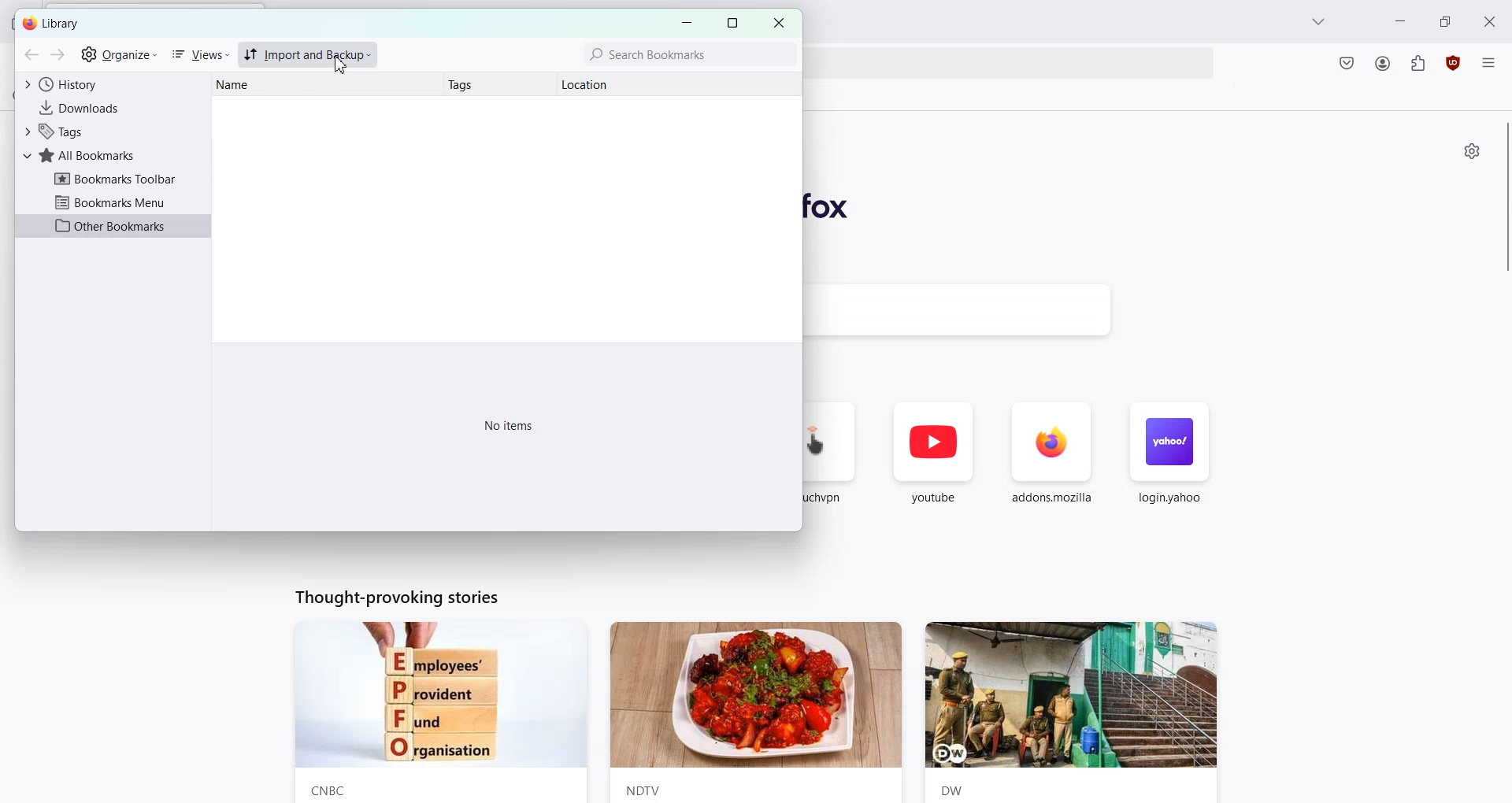 This screenshot has height=803, width=1512. What do you see at coordinates (1383, 64) in the screenshot?
I see `Account` at bounding box center [1383, 64].